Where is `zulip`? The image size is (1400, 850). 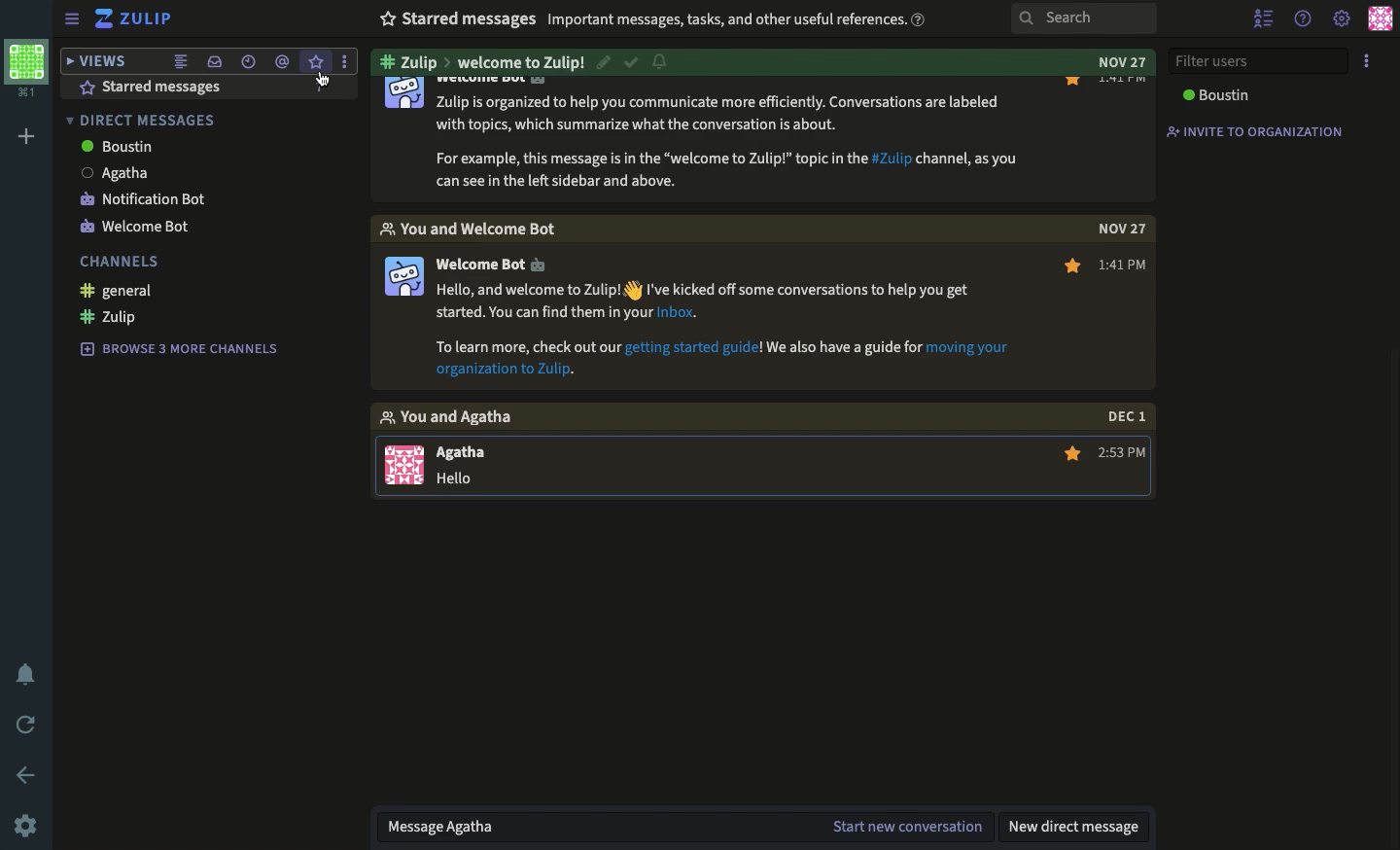
zulip is located at coordinates (106, 319).